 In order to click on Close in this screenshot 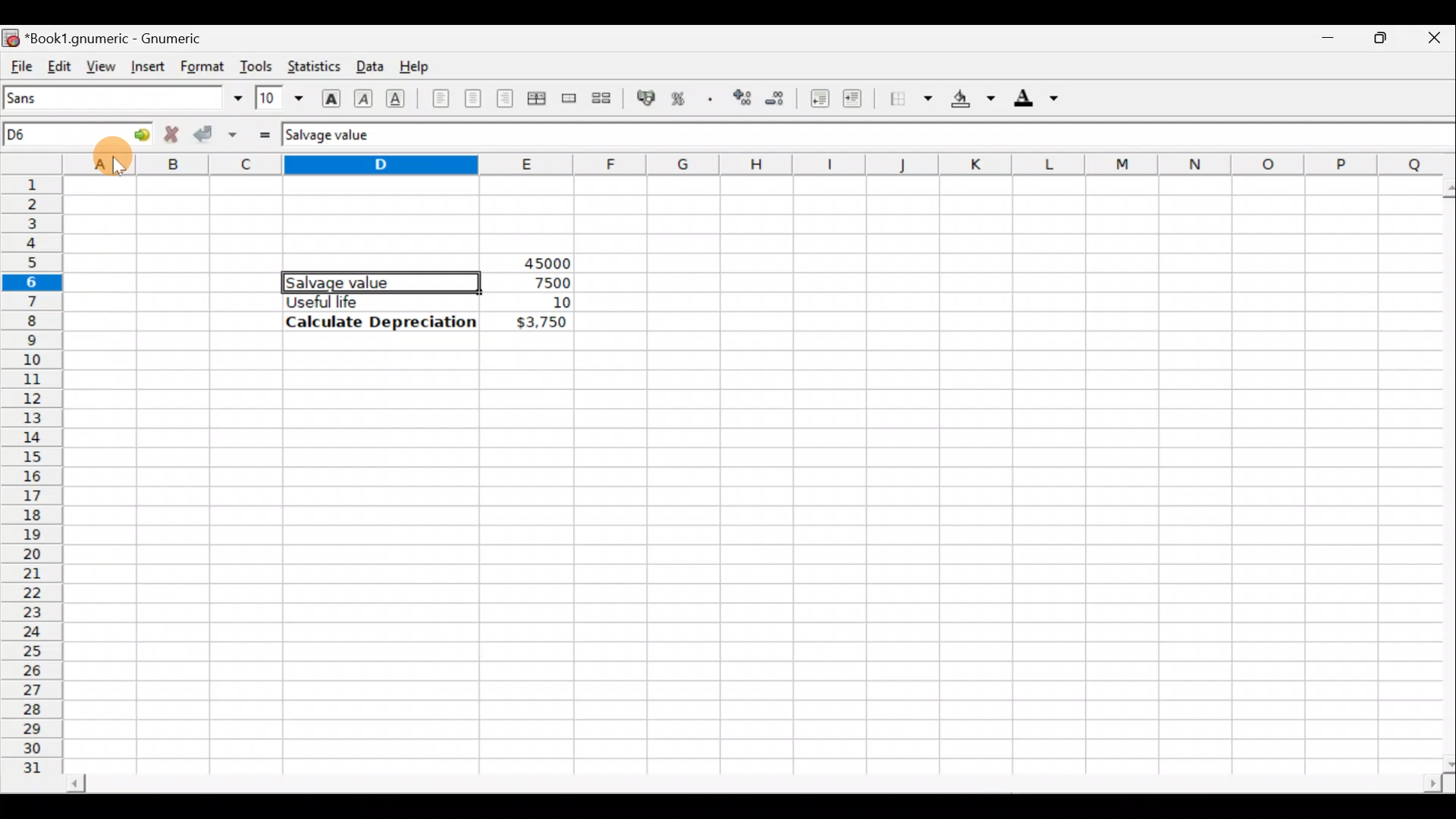, I will do `click(1433, 40)`.